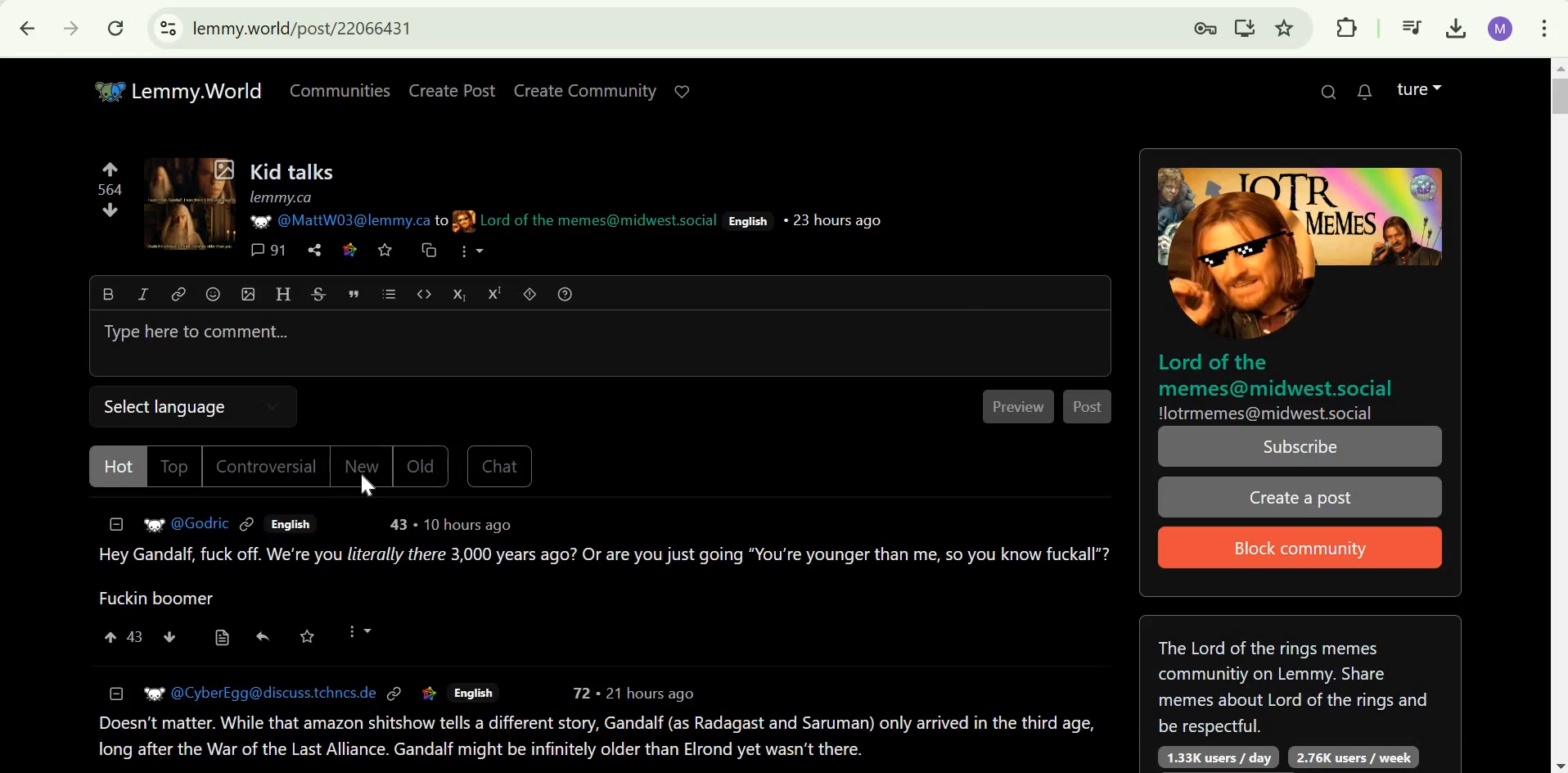 The width and height of the screenshot is (1568, 773). Describe the element at coordinates (178, 296) in the screenshot. I see `link` at that location.